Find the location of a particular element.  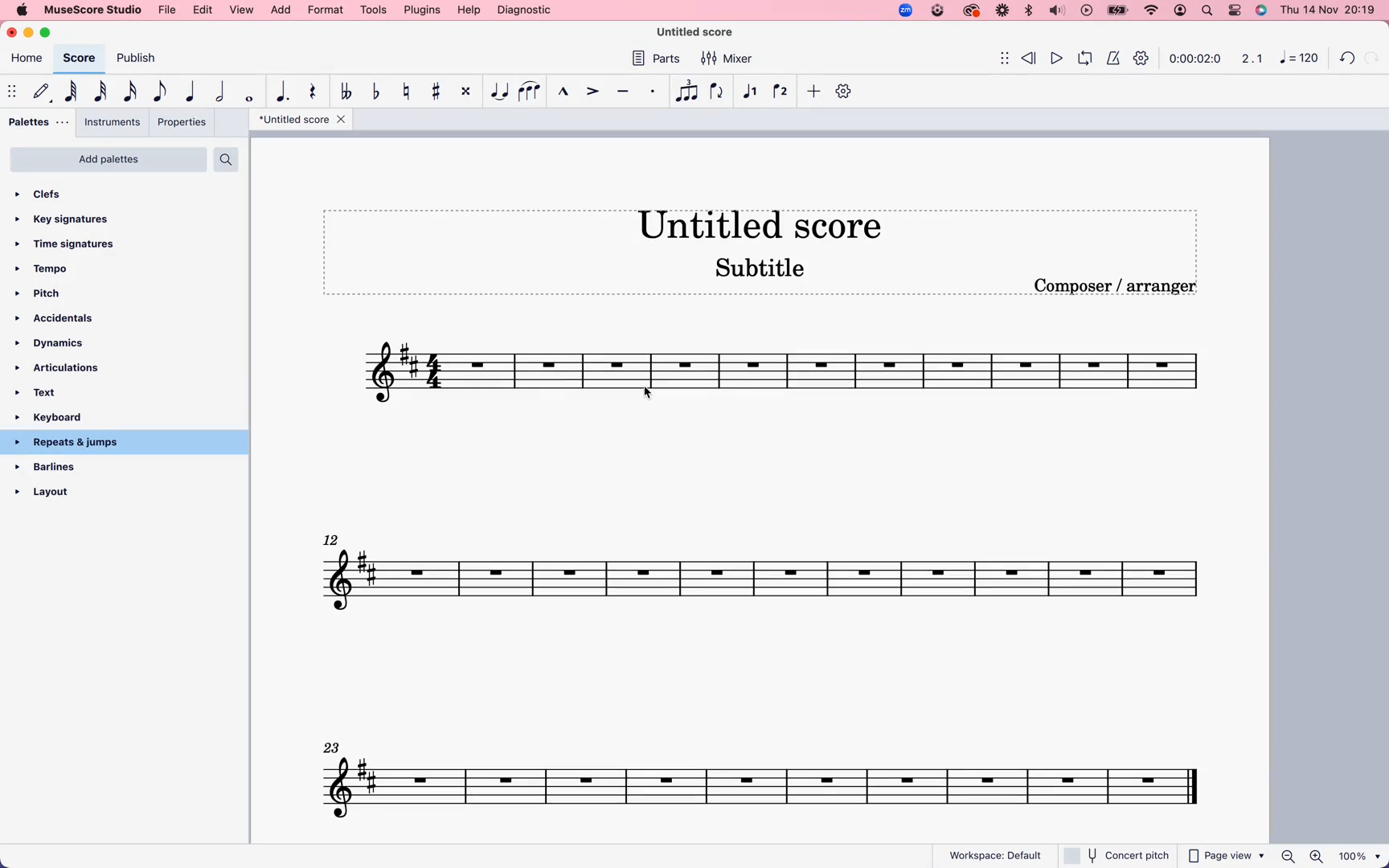

subtitle is located at coordinates (762, 270).